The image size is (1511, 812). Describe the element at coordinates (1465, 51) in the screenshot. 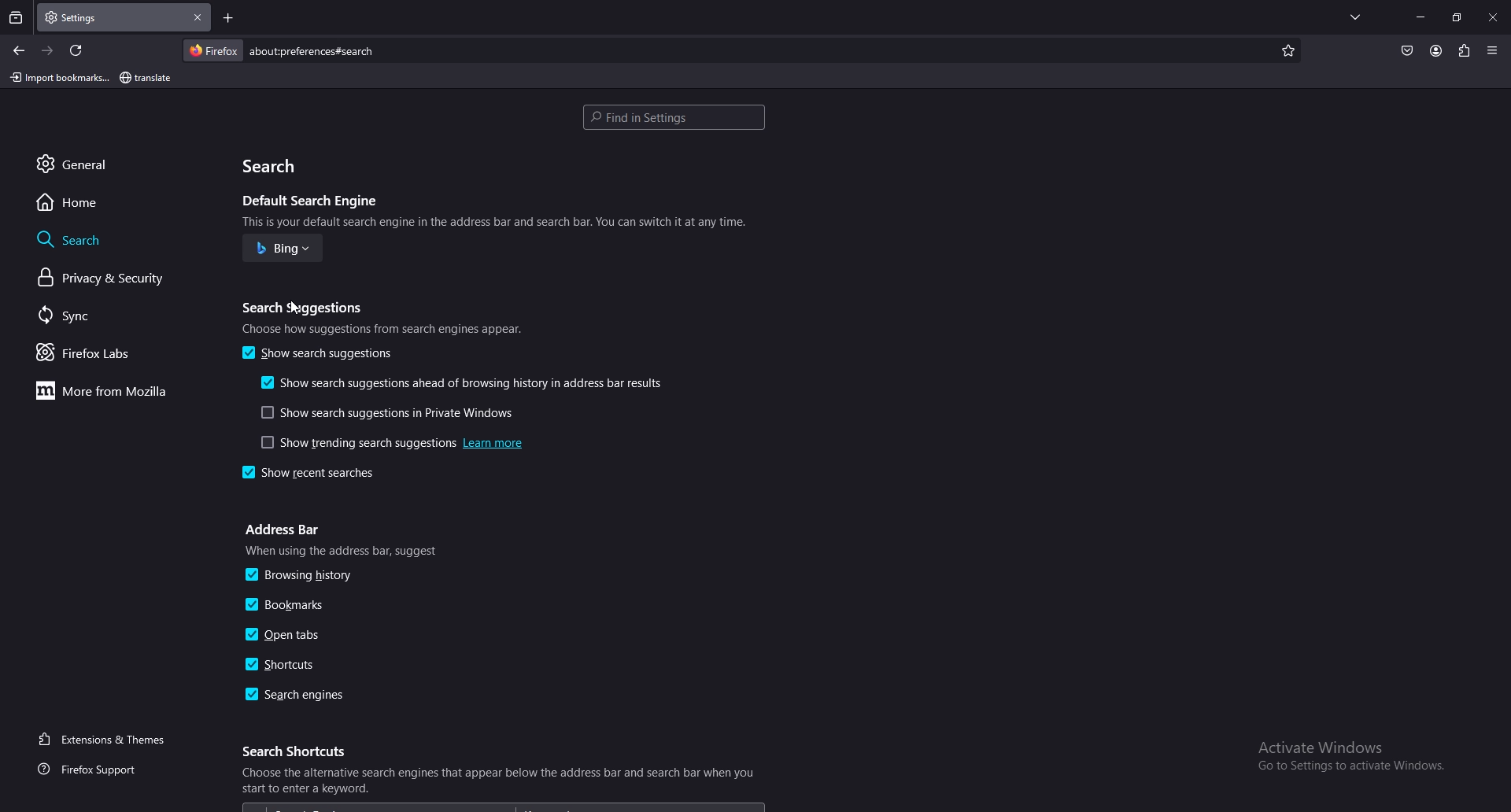

I see `extensions` at that location.